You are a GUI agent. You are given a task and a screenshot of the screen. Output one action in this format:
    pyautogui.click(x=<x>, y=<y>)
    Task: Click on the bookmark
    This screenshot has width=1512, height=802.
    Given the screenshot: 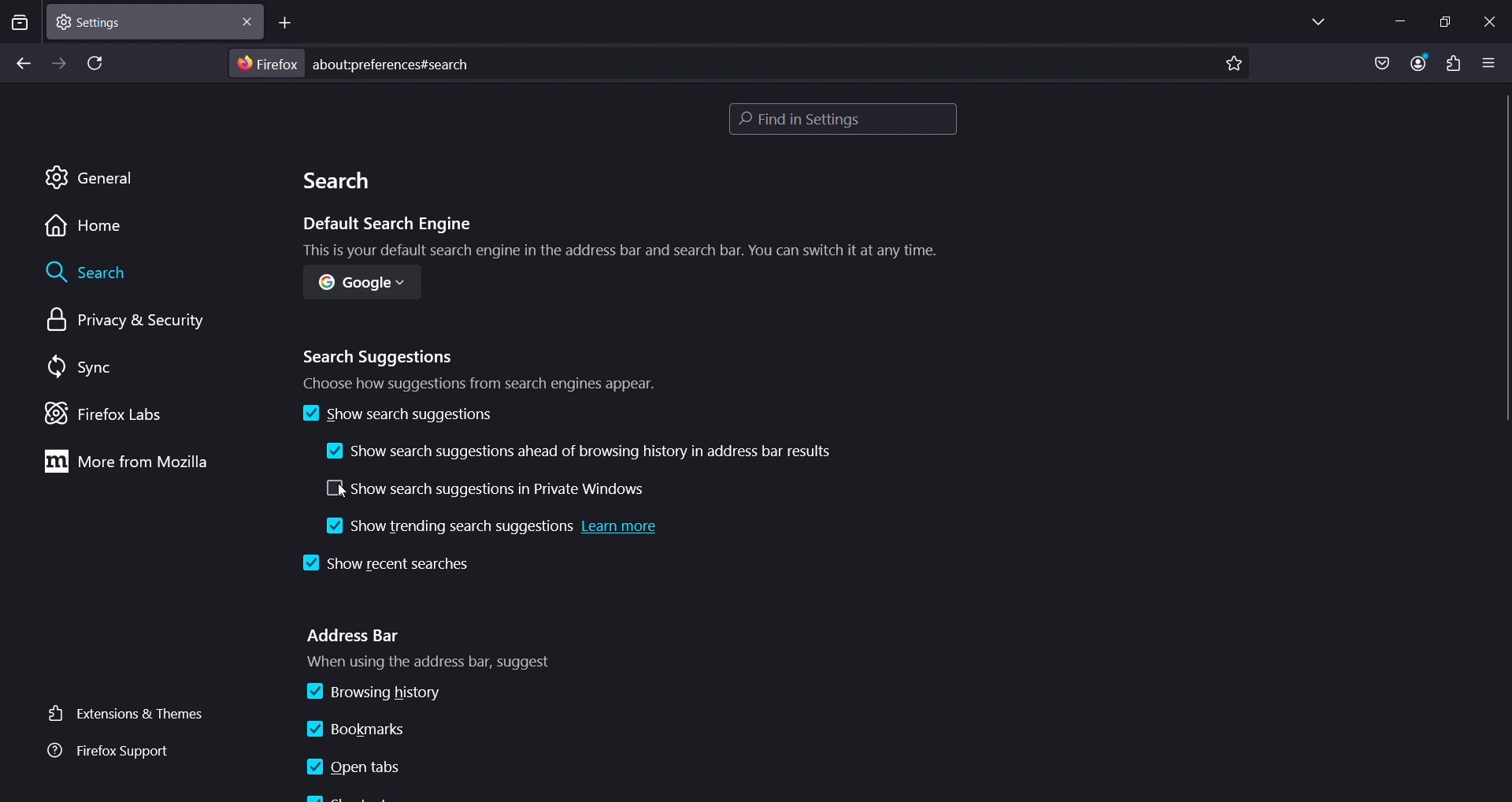 What is the action you would take?
    pyautogui.click(x=1234, y=65)
    